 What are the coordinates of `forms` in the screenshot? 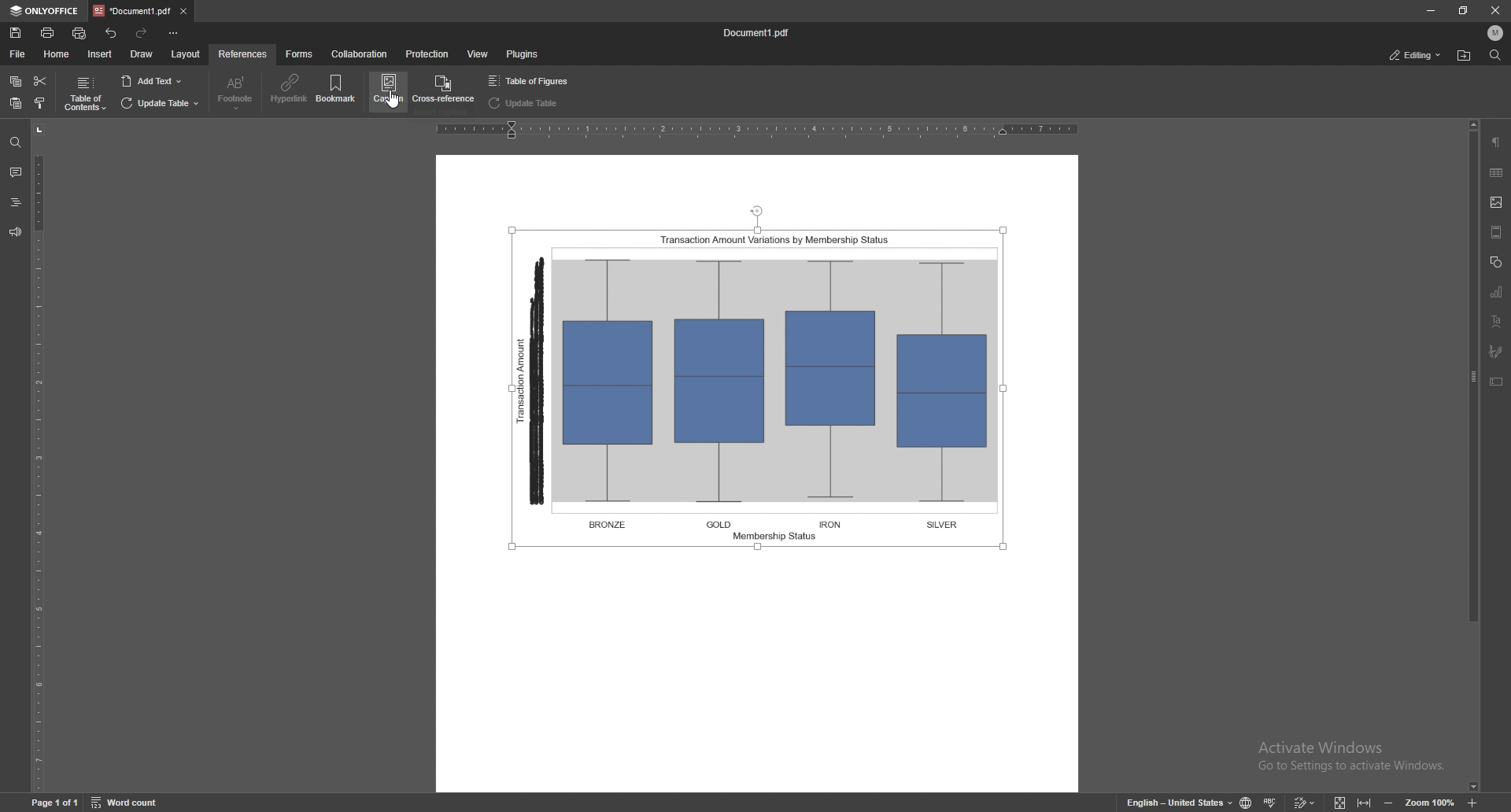 It's located at (301, 54).